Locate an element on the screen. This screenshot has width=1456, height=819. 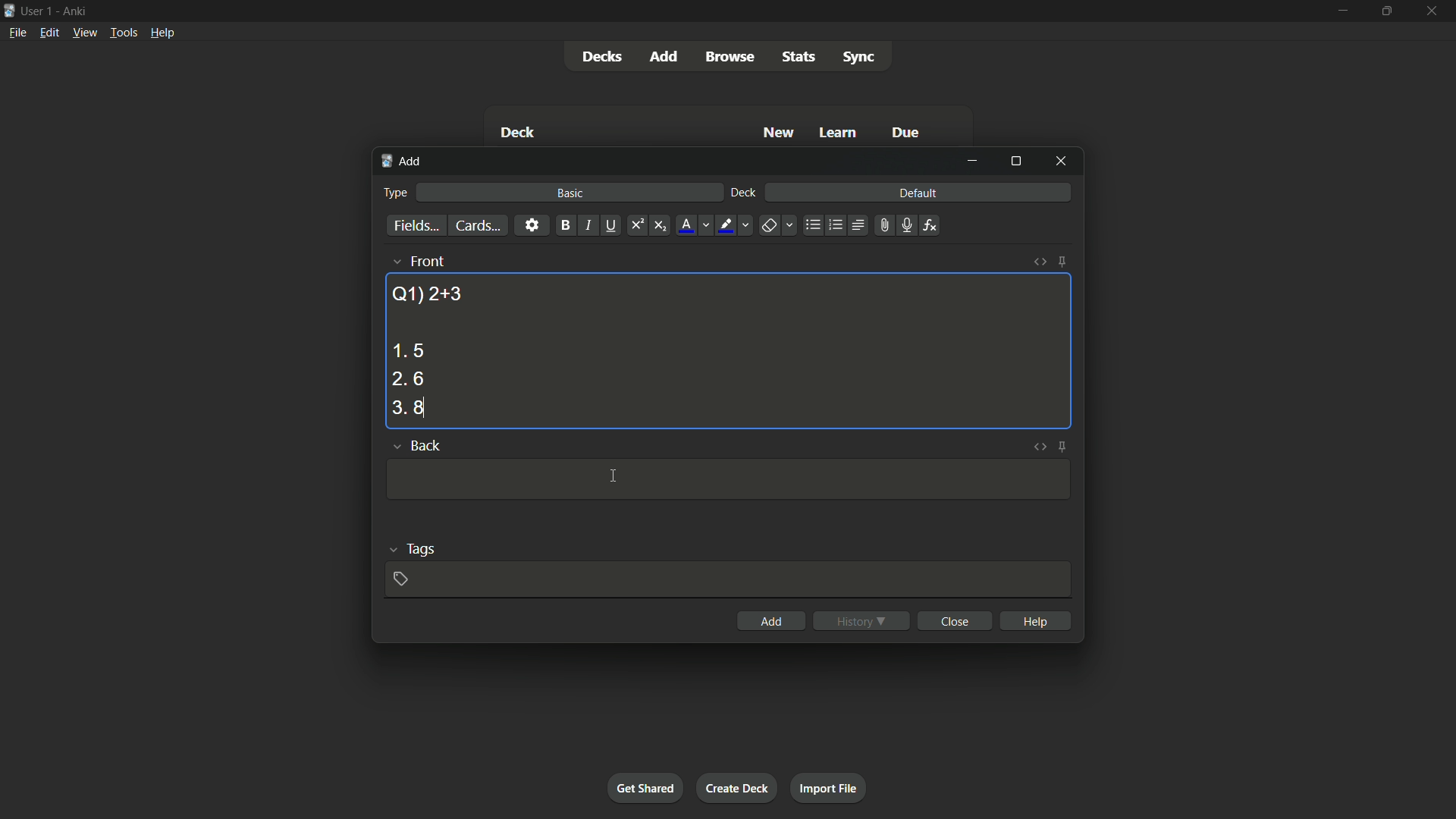
new is located at coordinates (780, 132).